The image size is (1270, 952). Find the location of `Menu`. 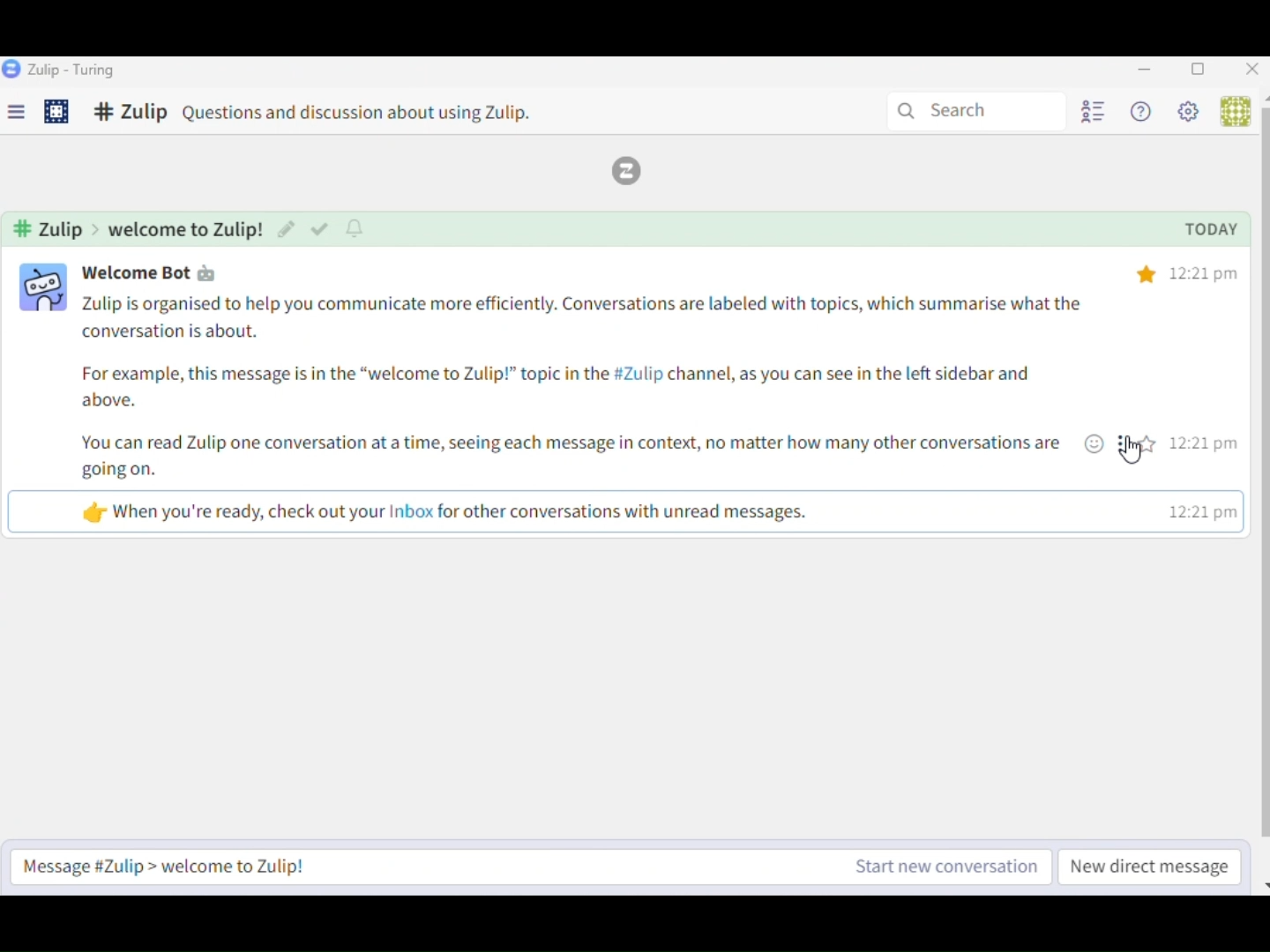

Menu is located at coordinates (23, 115).